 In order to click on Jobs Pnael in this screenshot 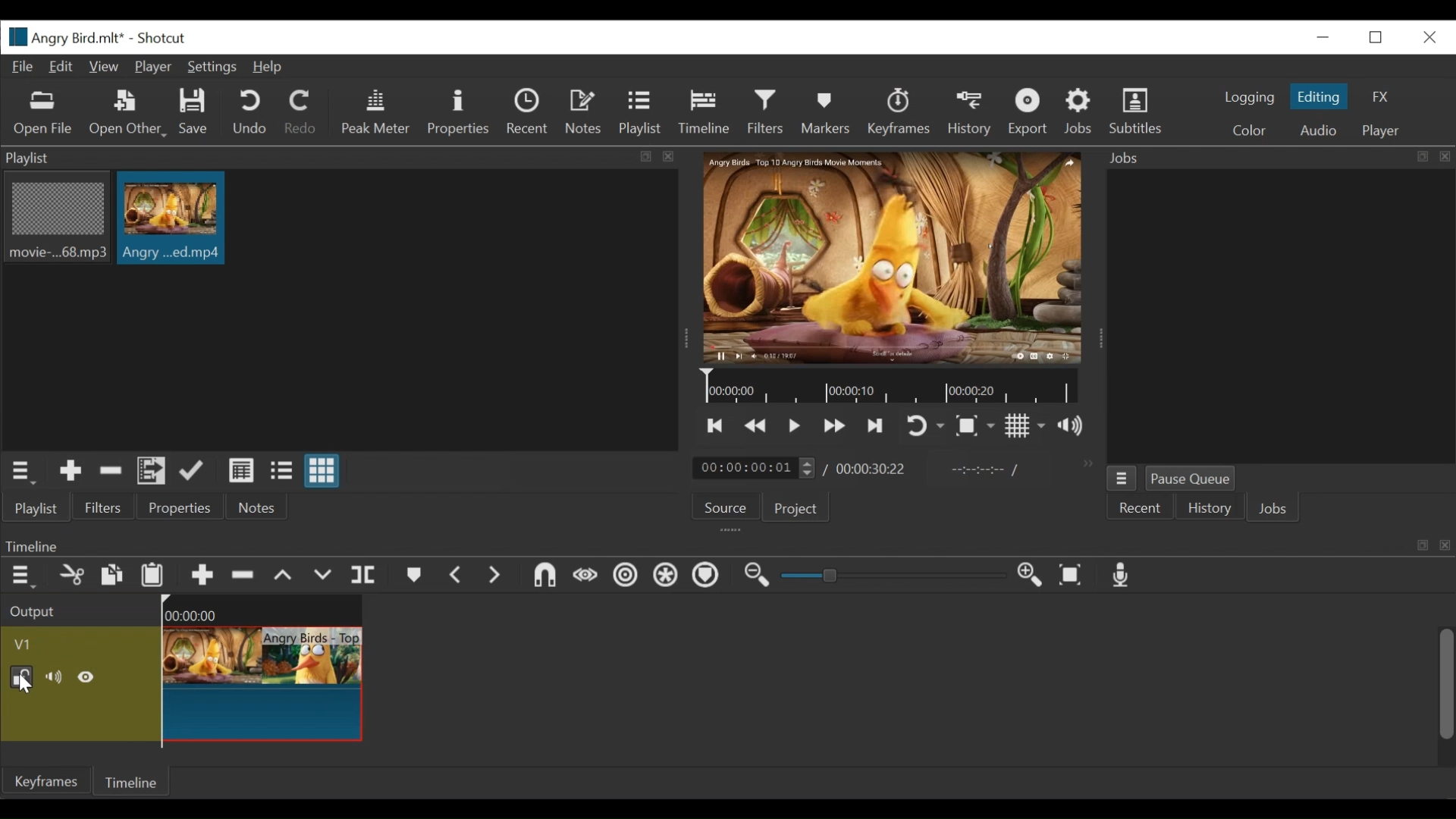, I will do `click(1279, 160)`.